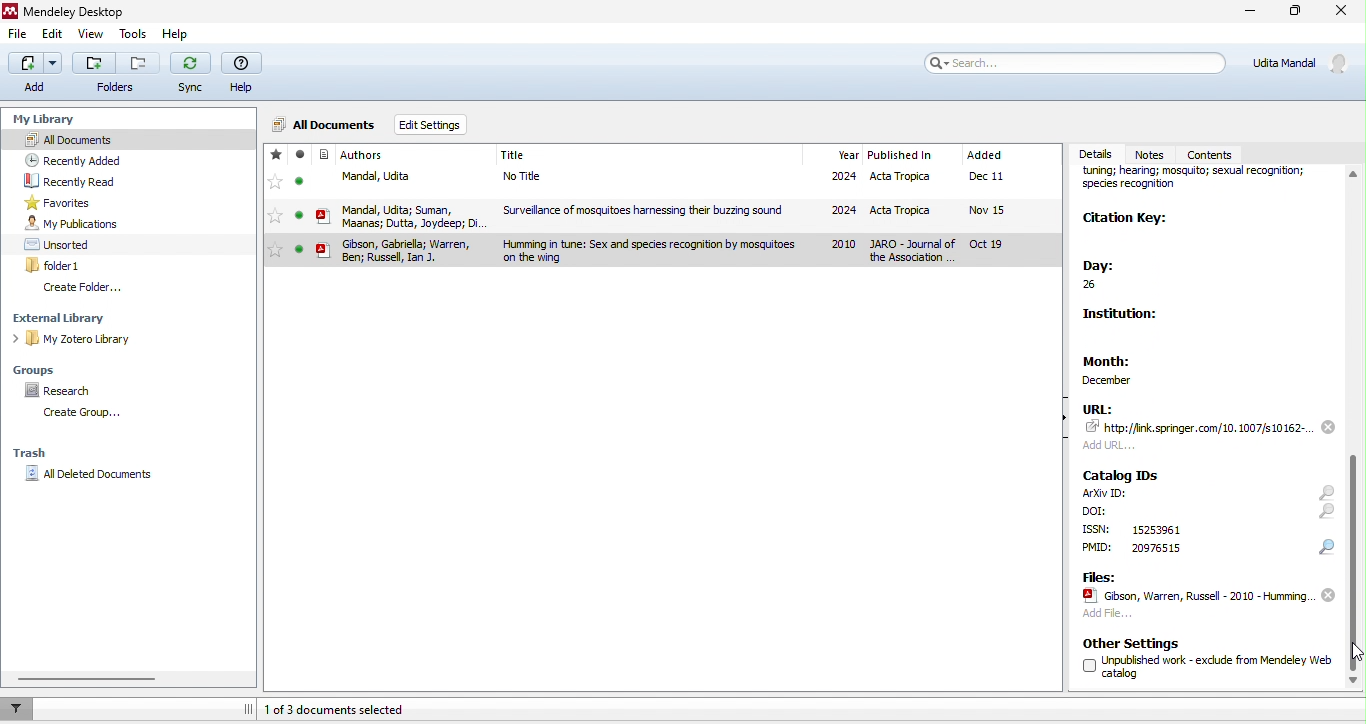  I want to click on file, so click(699, 214).